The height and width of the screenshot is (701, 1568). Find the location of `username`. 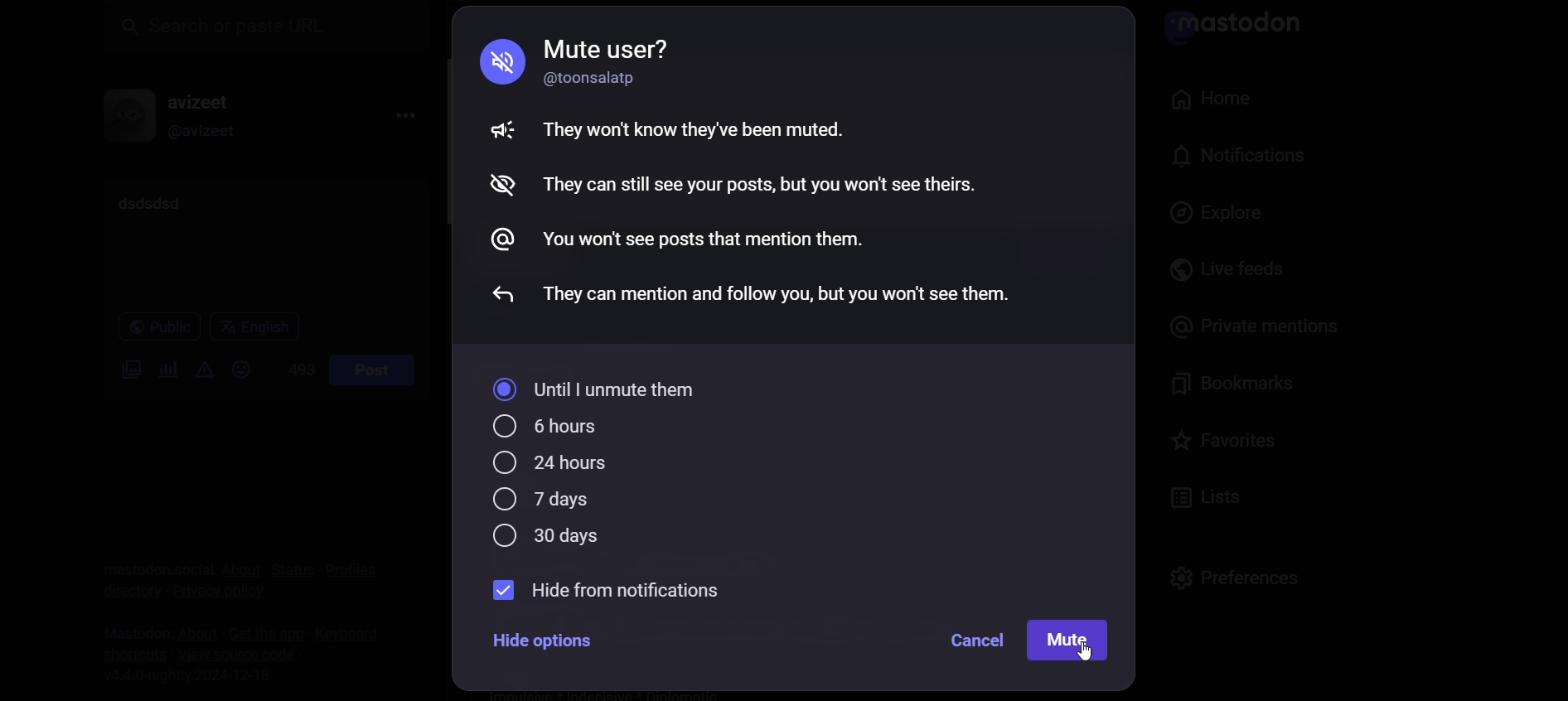

username is located at coordinates (208, 99).